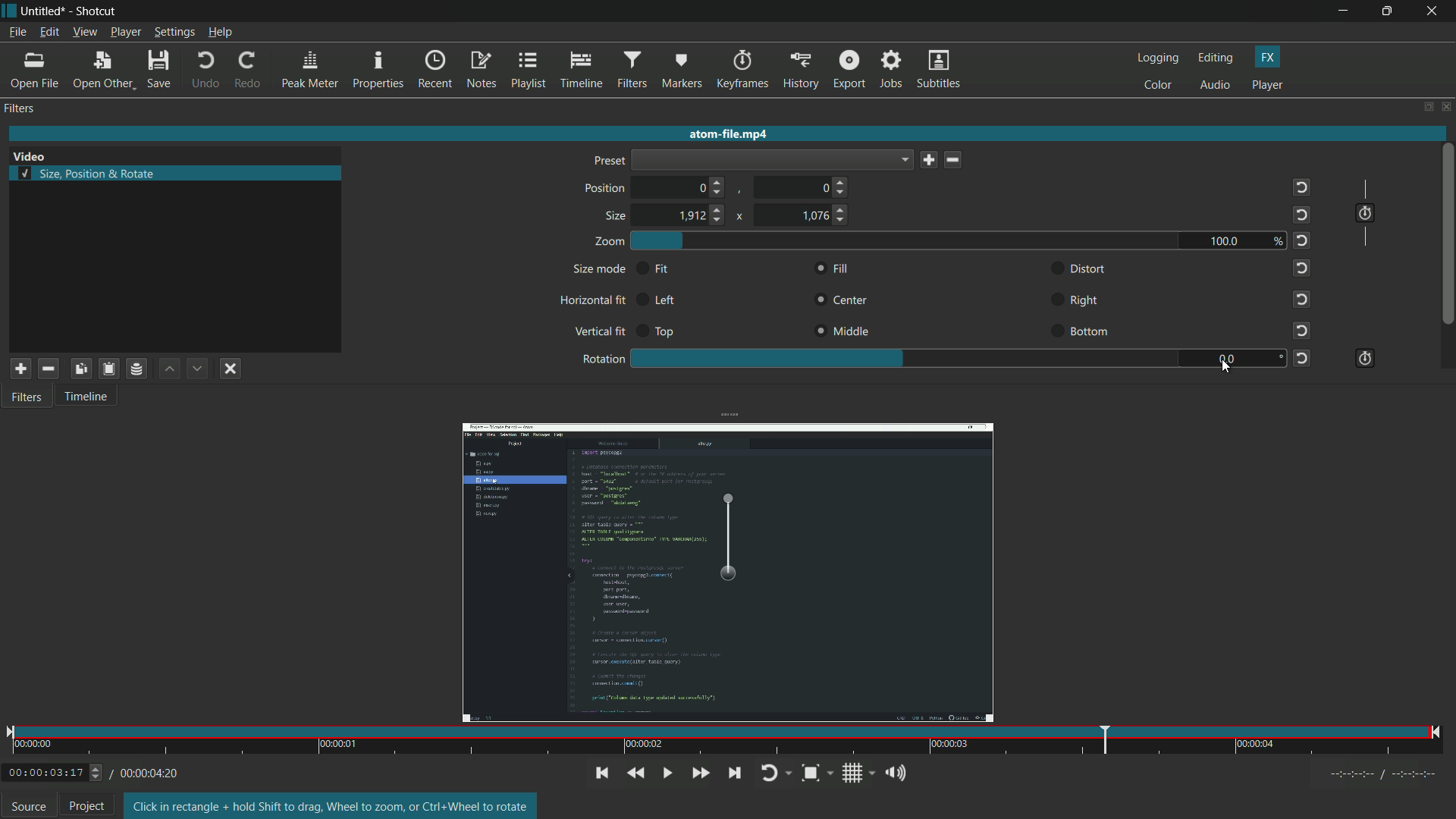  I want to click on export, so click(847, 71).